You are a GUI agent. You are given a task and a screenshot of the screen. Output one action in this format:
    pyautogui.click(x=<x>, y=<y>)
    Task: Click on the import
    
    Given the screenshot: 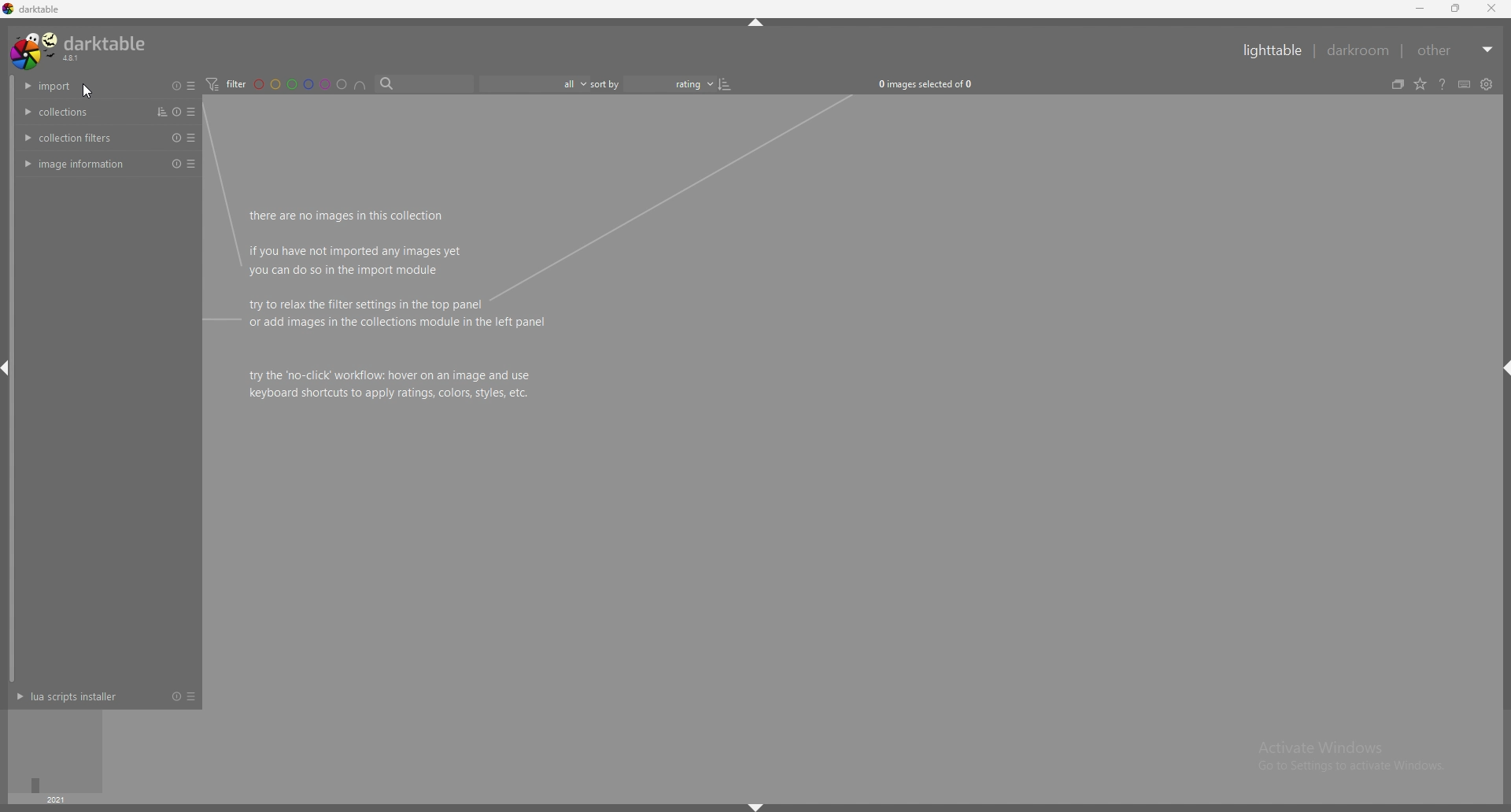 What is the action you would take?
    pyautogui.click(x=77, y=86)
    